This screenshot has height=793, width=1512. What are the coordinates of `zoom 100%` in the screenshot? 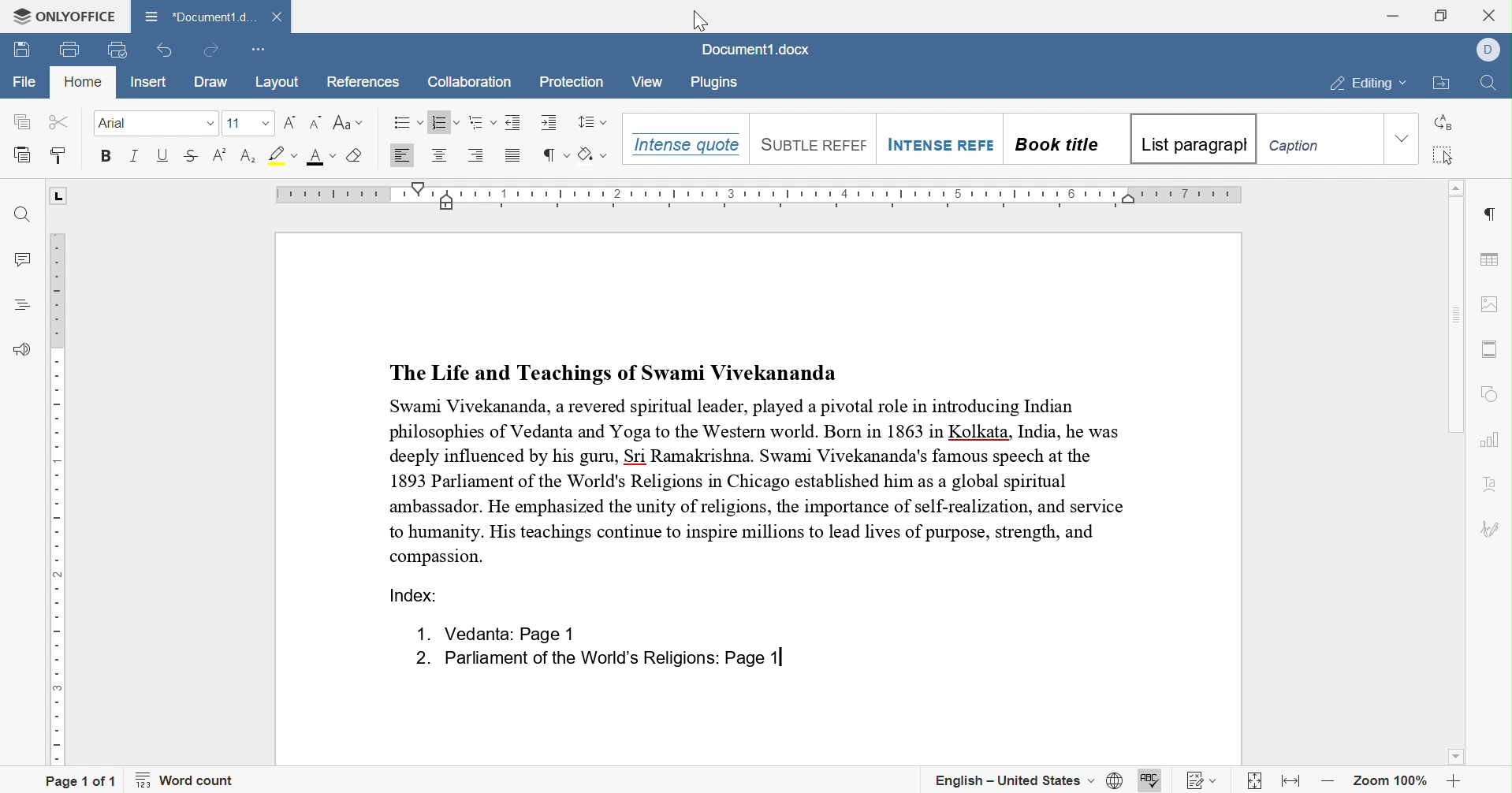 It's located at (1391, 784).